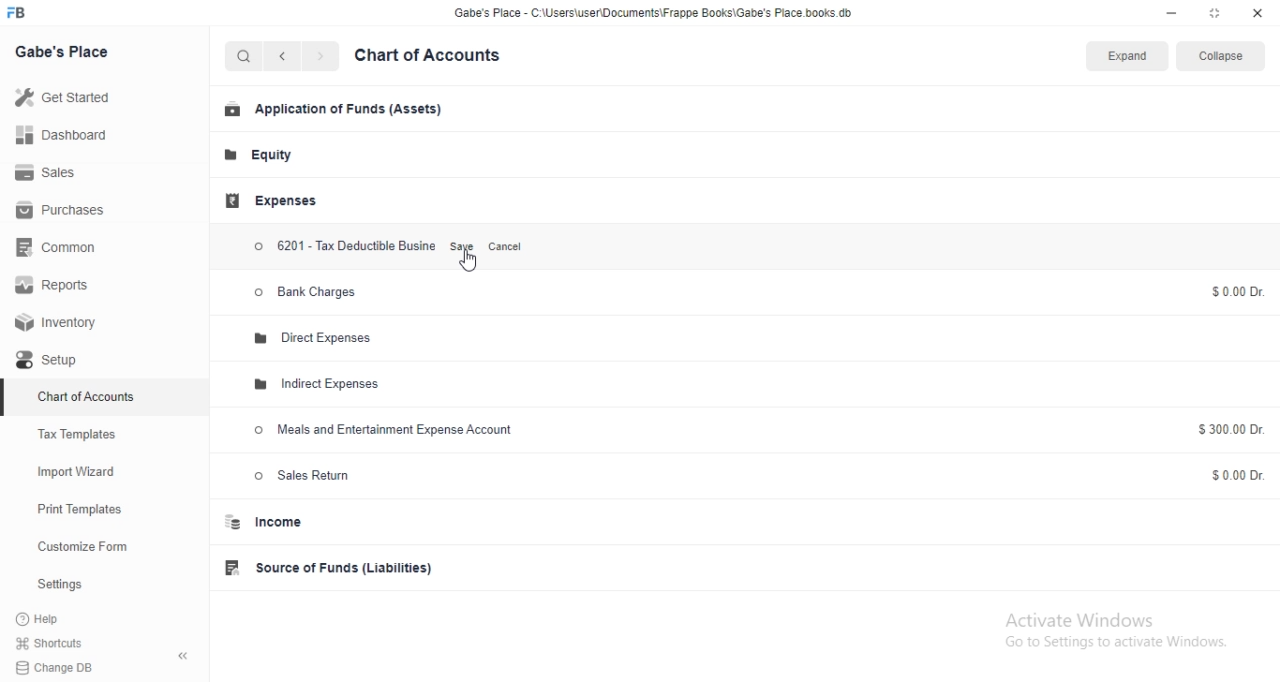  I want to click on Common, so click(62, 250).